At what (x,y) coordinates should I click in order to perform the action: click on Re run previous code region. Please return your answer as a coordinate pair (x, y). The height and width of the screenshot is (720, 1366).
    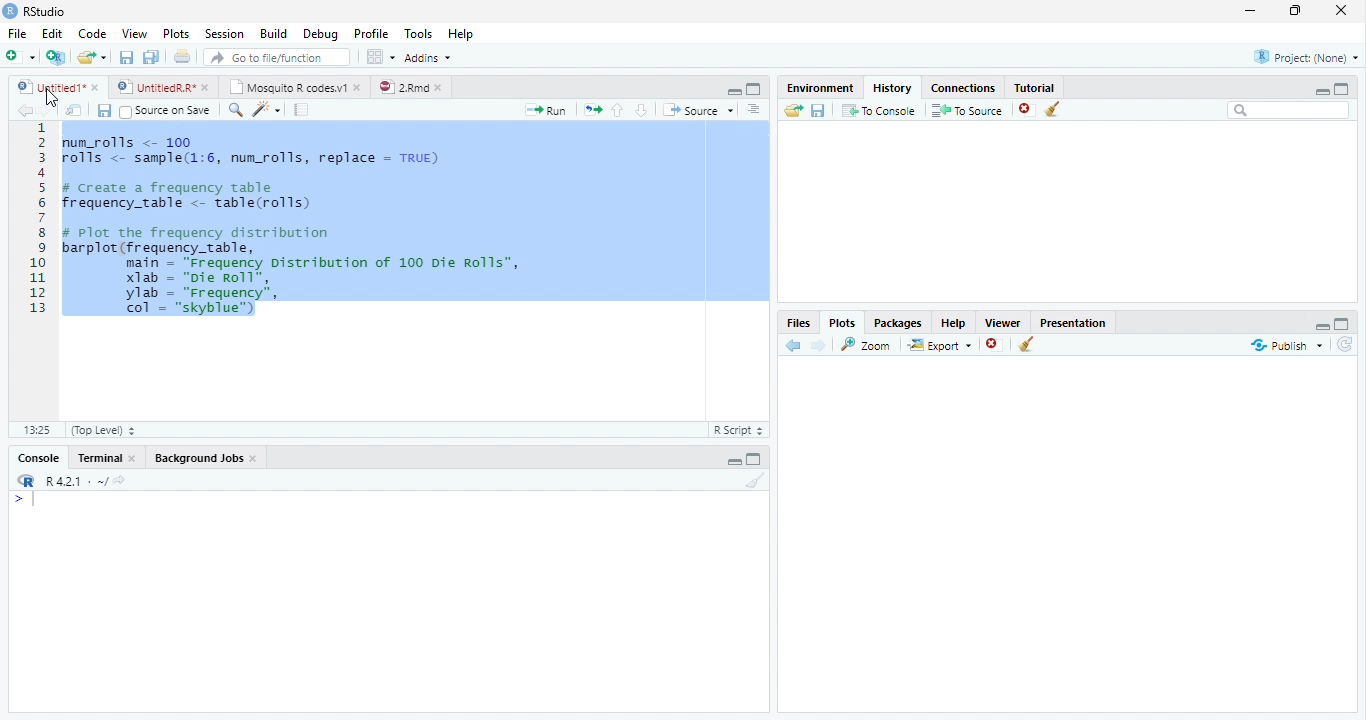
    Looking at the image, I should click on (591, 111).